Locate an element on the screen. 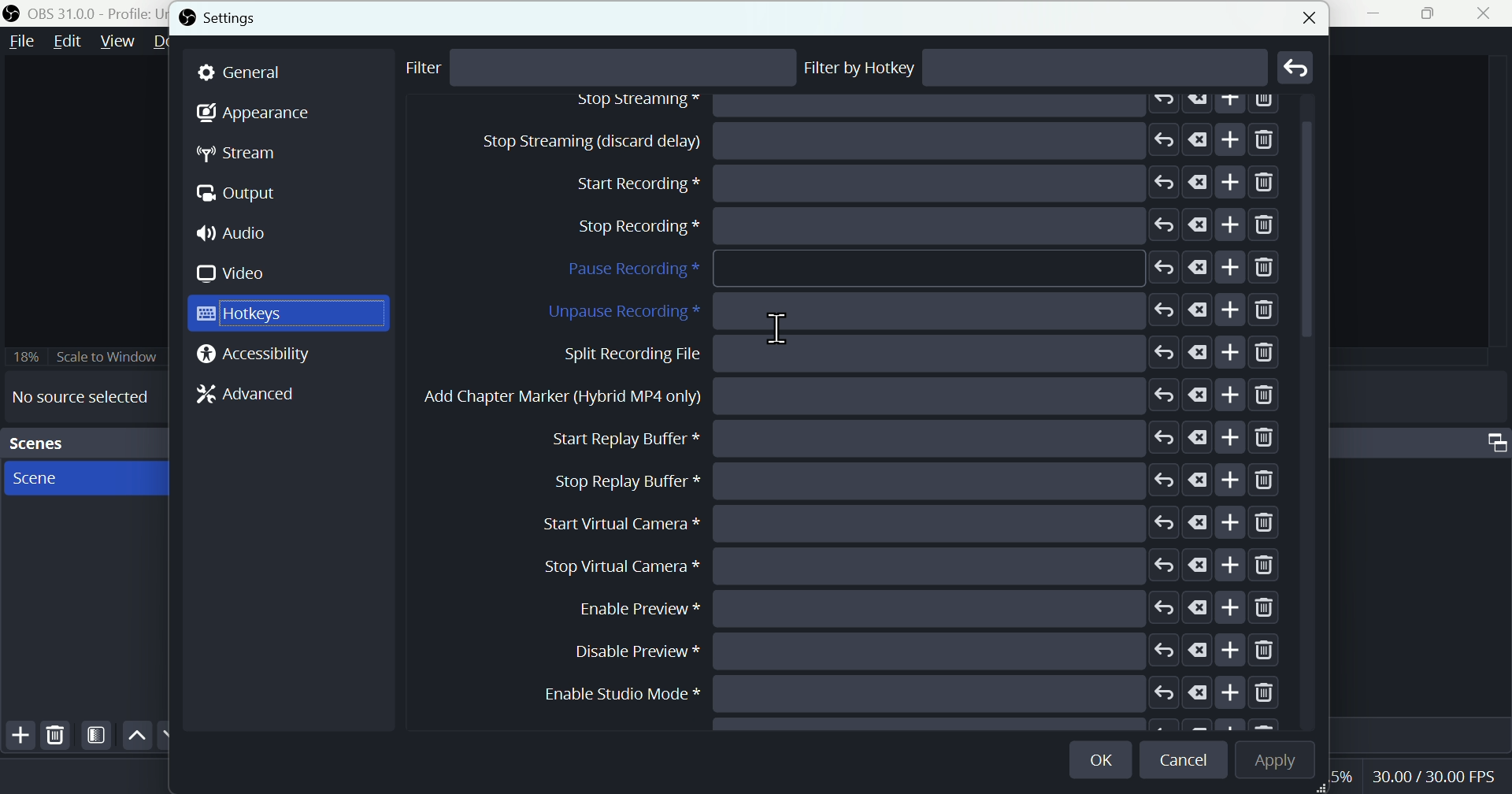 The width and height of the screenshot is (1512, 794). Docks is located at coordinates (172, 43).